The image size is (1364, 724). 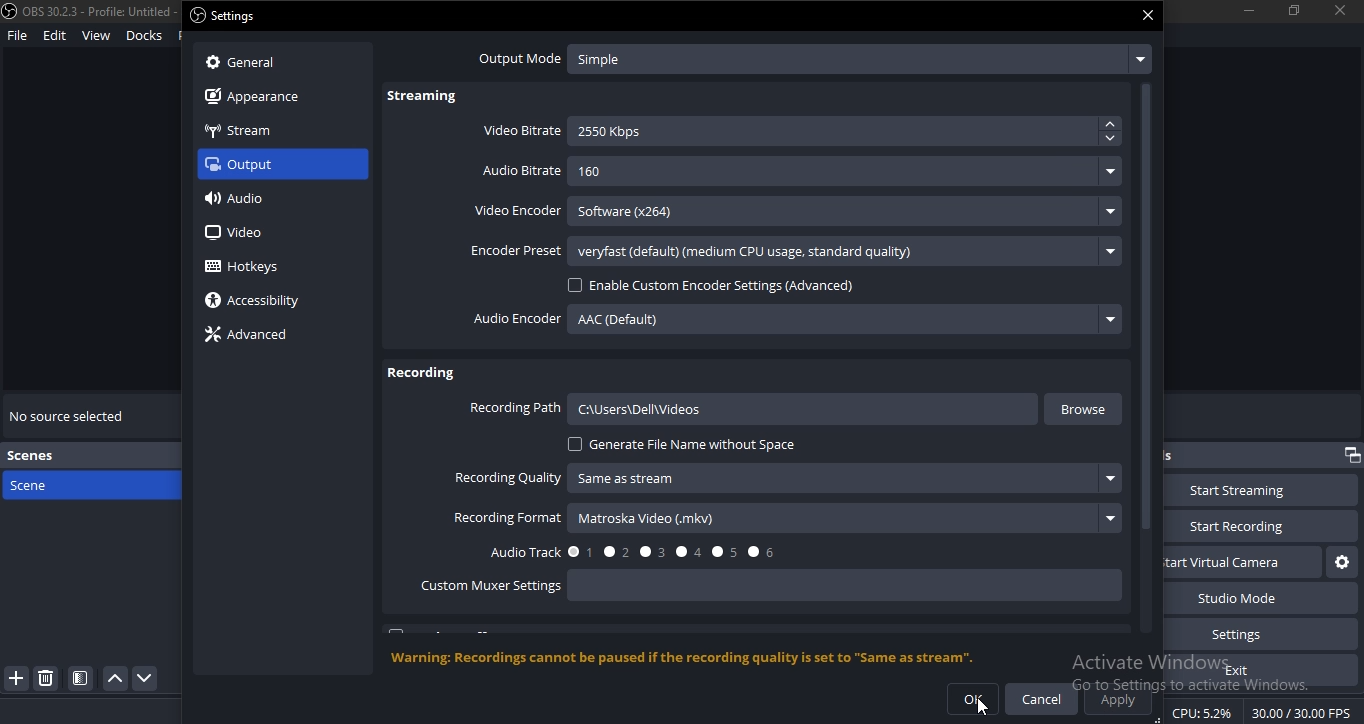 I want to click on minimize, so click(x=1248, y=10).